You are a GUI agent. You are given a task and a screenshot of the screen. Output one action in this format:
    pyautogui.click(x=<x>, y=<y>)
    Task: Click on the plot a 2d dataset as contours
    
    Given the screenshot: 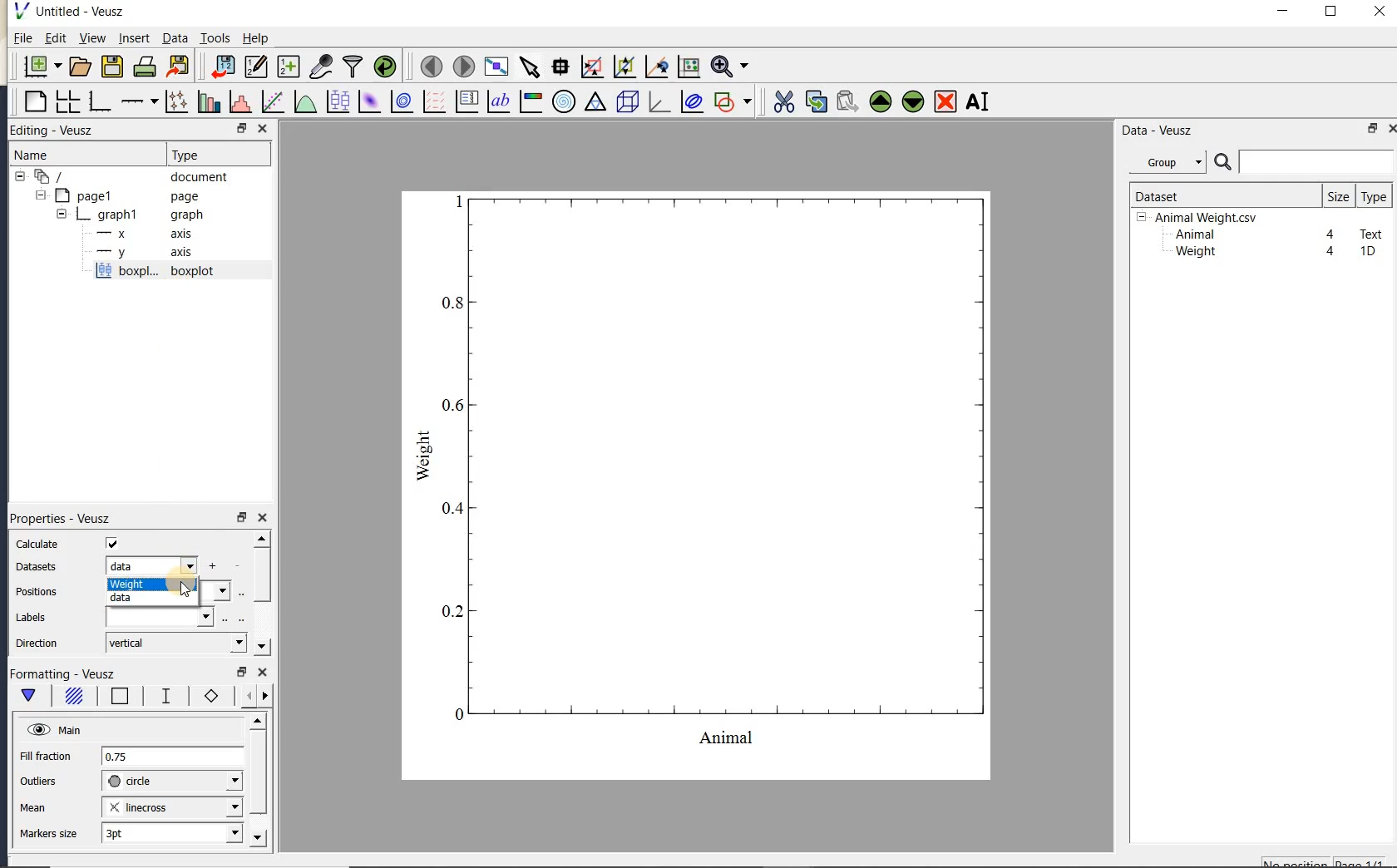 What is the action you would take?
    pyautogui.click(x=400, y=101)
    